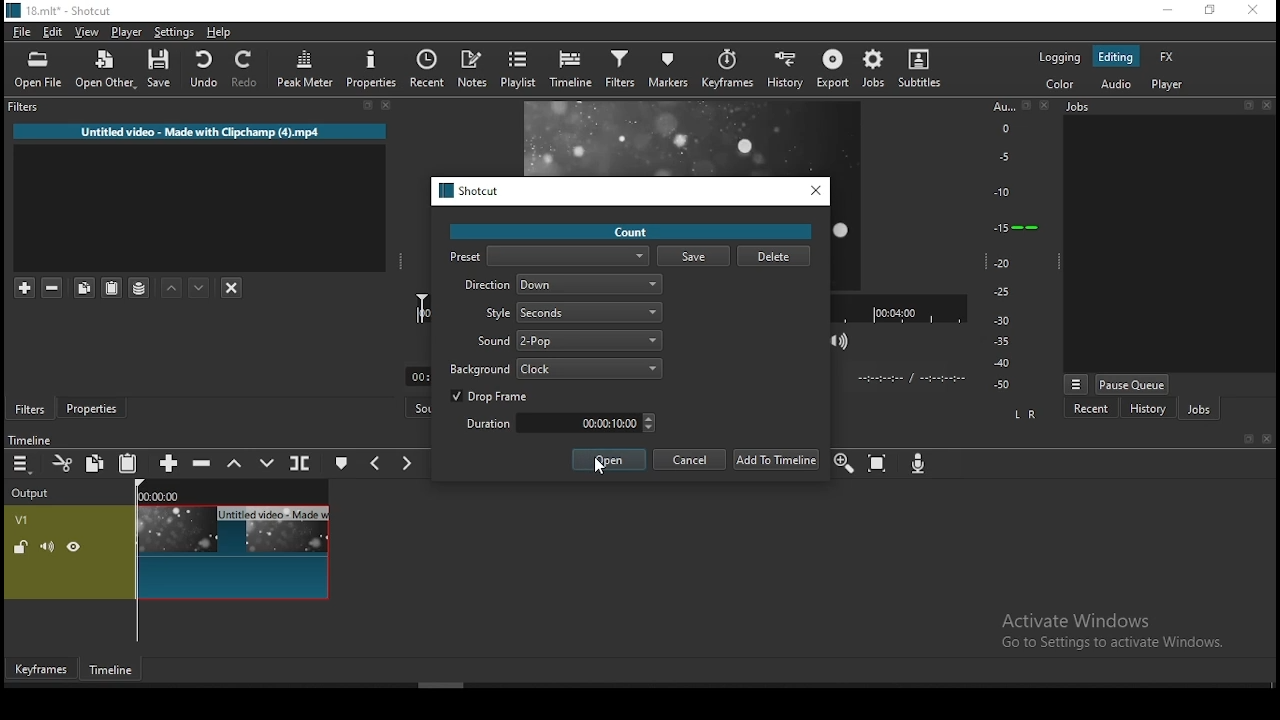  I want to click on Jobs, so click(1165, 108).